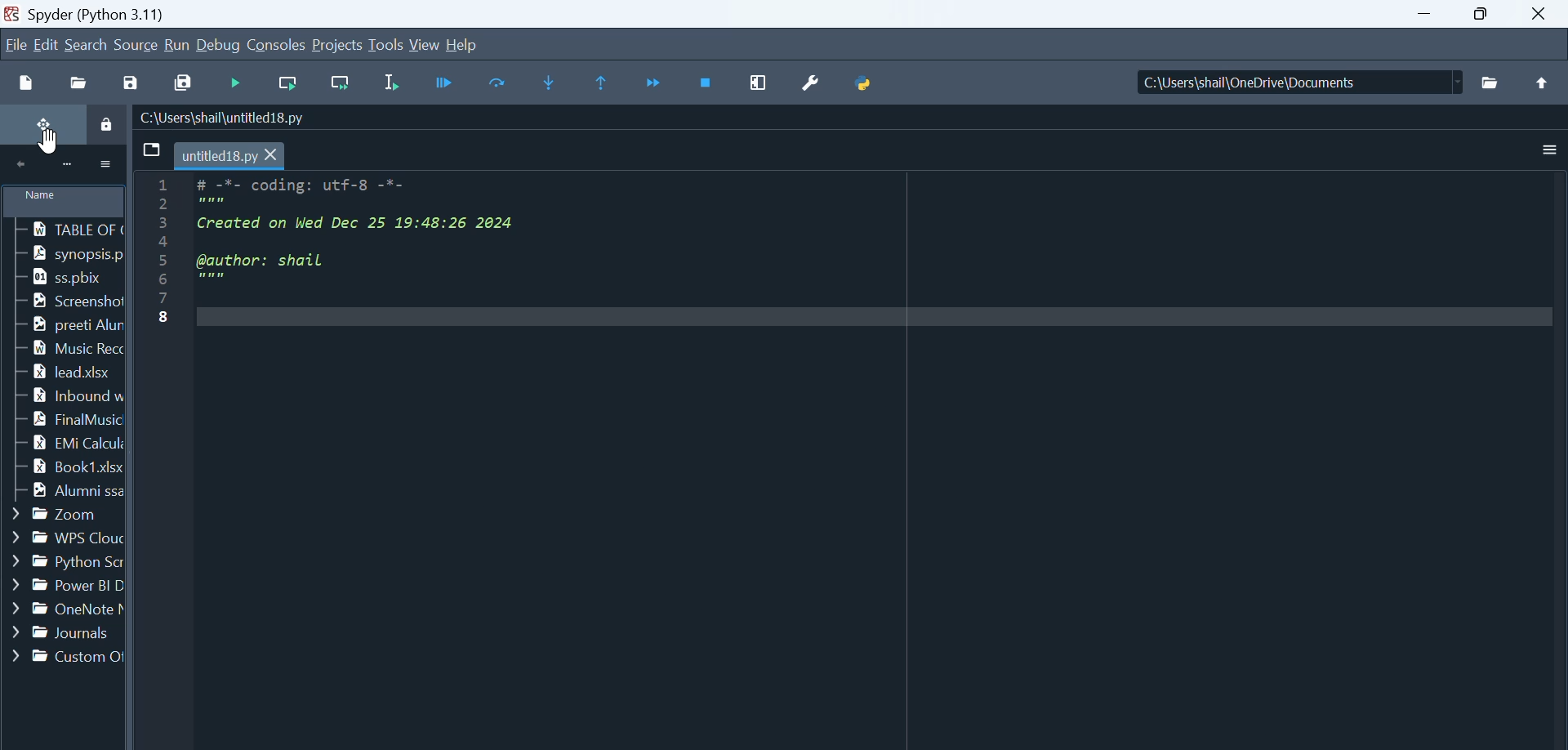  Describe the element at coordinates (65, 199) in the screenshot. I see `name` at that location.